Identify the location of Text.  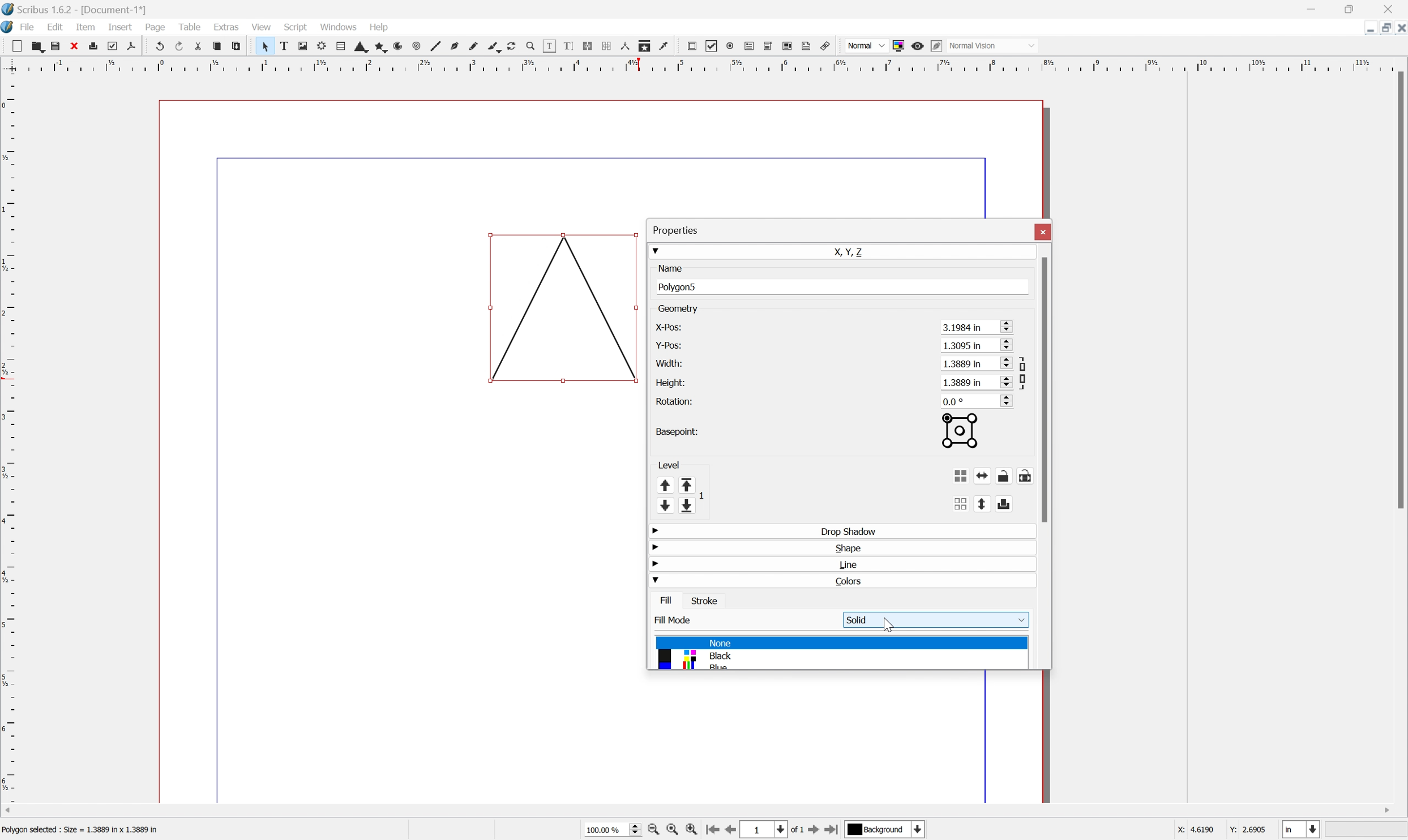
(86, 828).